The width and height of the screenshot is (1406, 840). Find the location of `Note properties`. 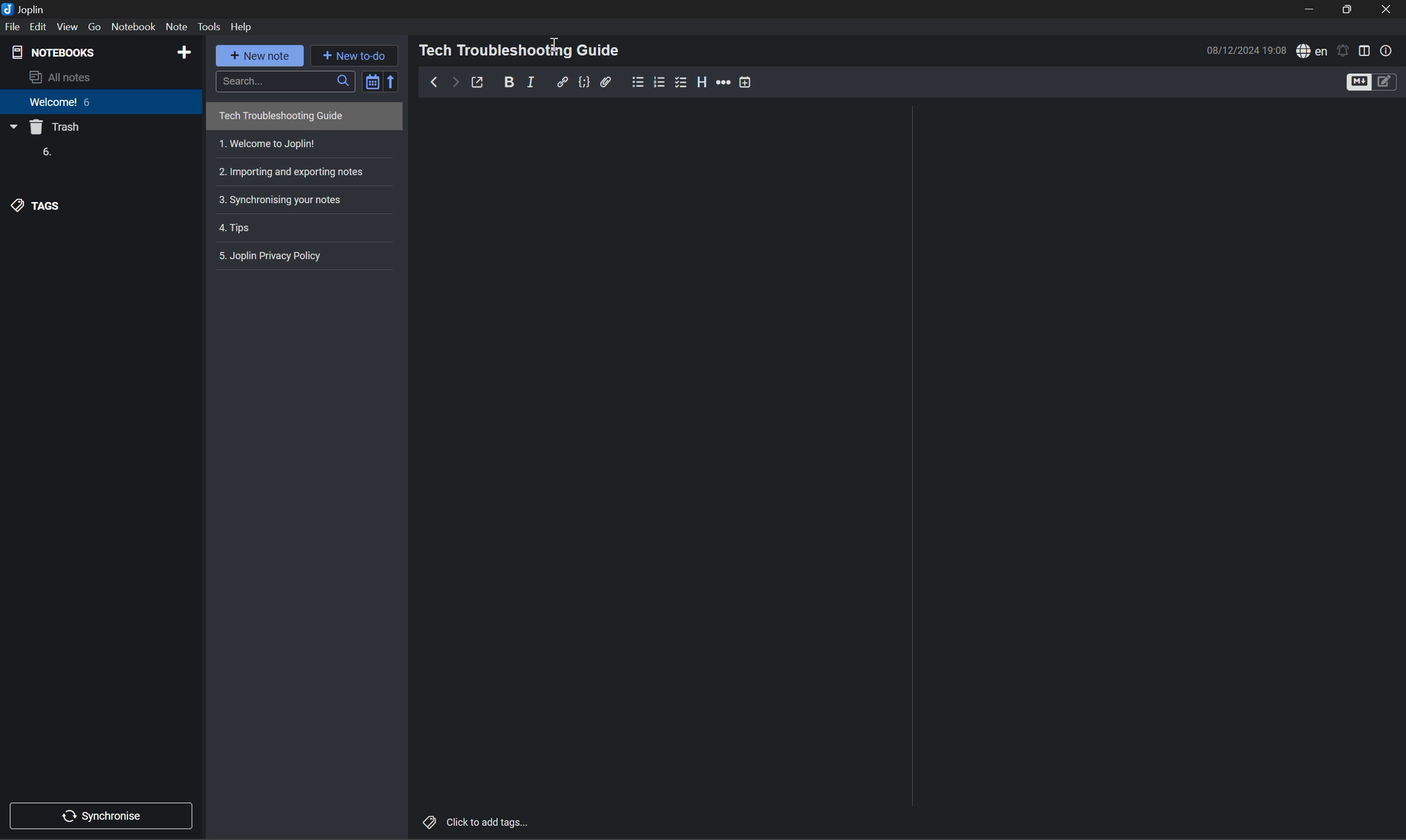

Note properties is located at coordinates (1386, 50).